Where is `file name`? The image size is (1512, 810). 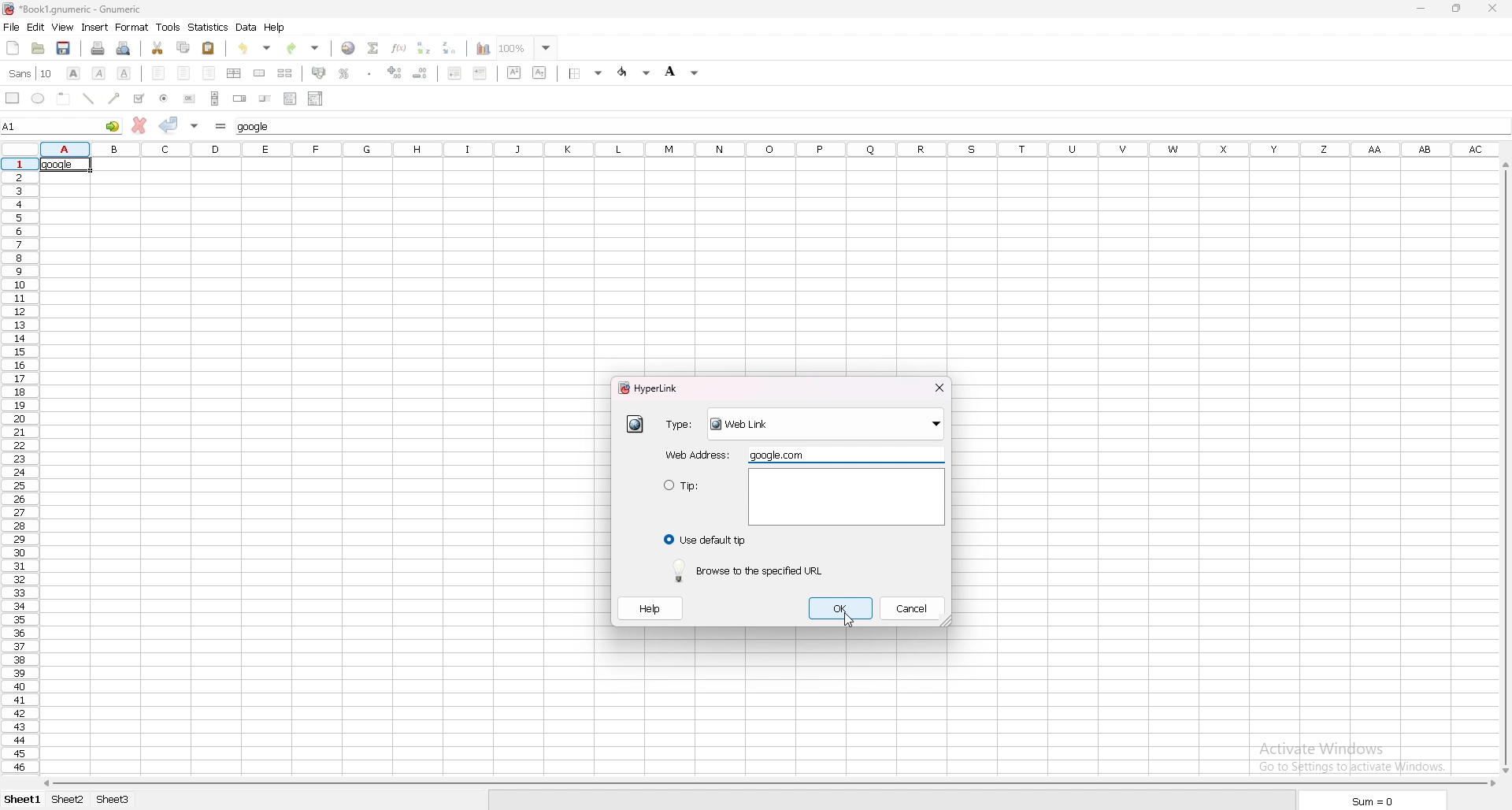 file name is located at coordinates (126, 11).